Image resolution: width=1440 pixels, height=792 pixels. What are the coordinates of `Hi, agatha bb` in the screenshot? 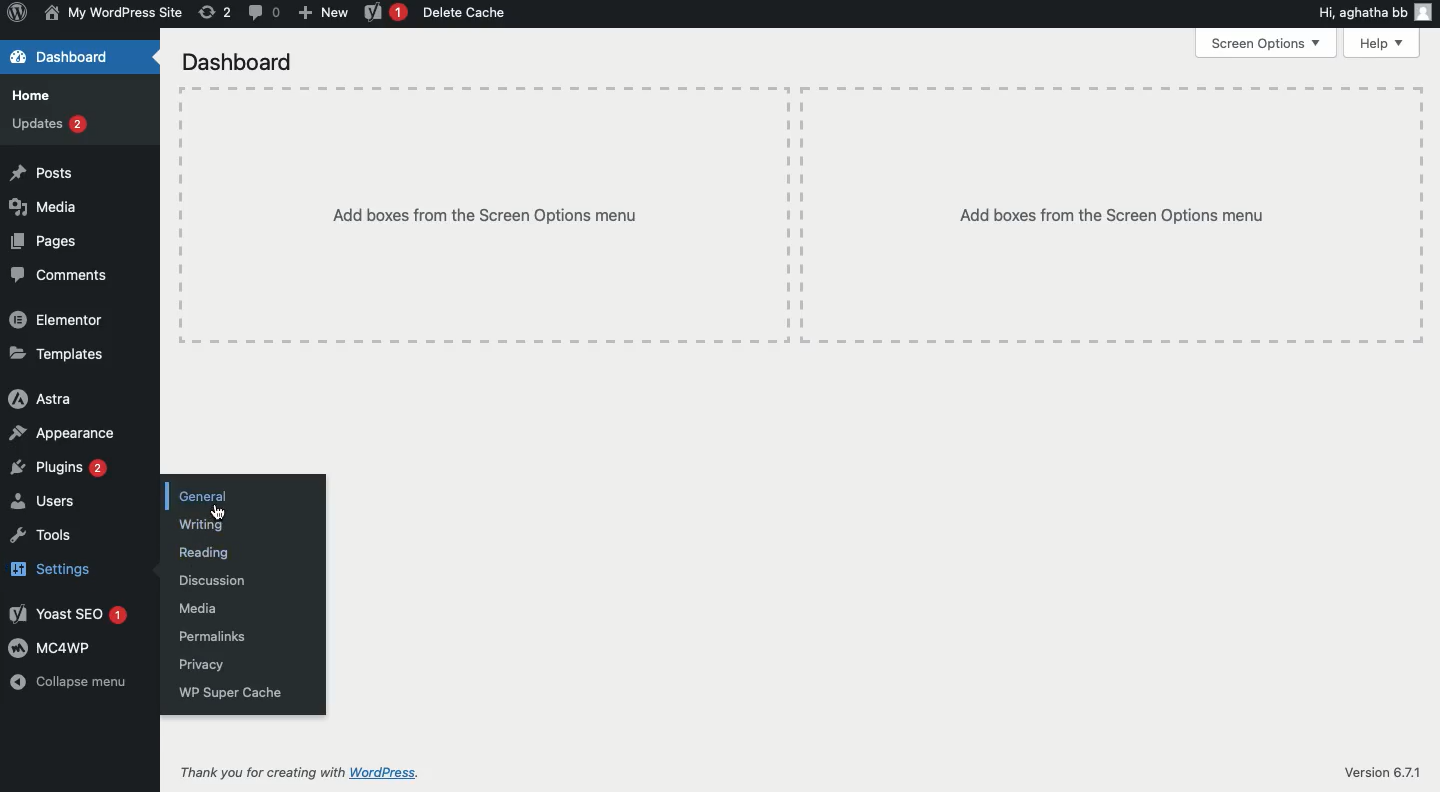 It's located at (1360, 15).